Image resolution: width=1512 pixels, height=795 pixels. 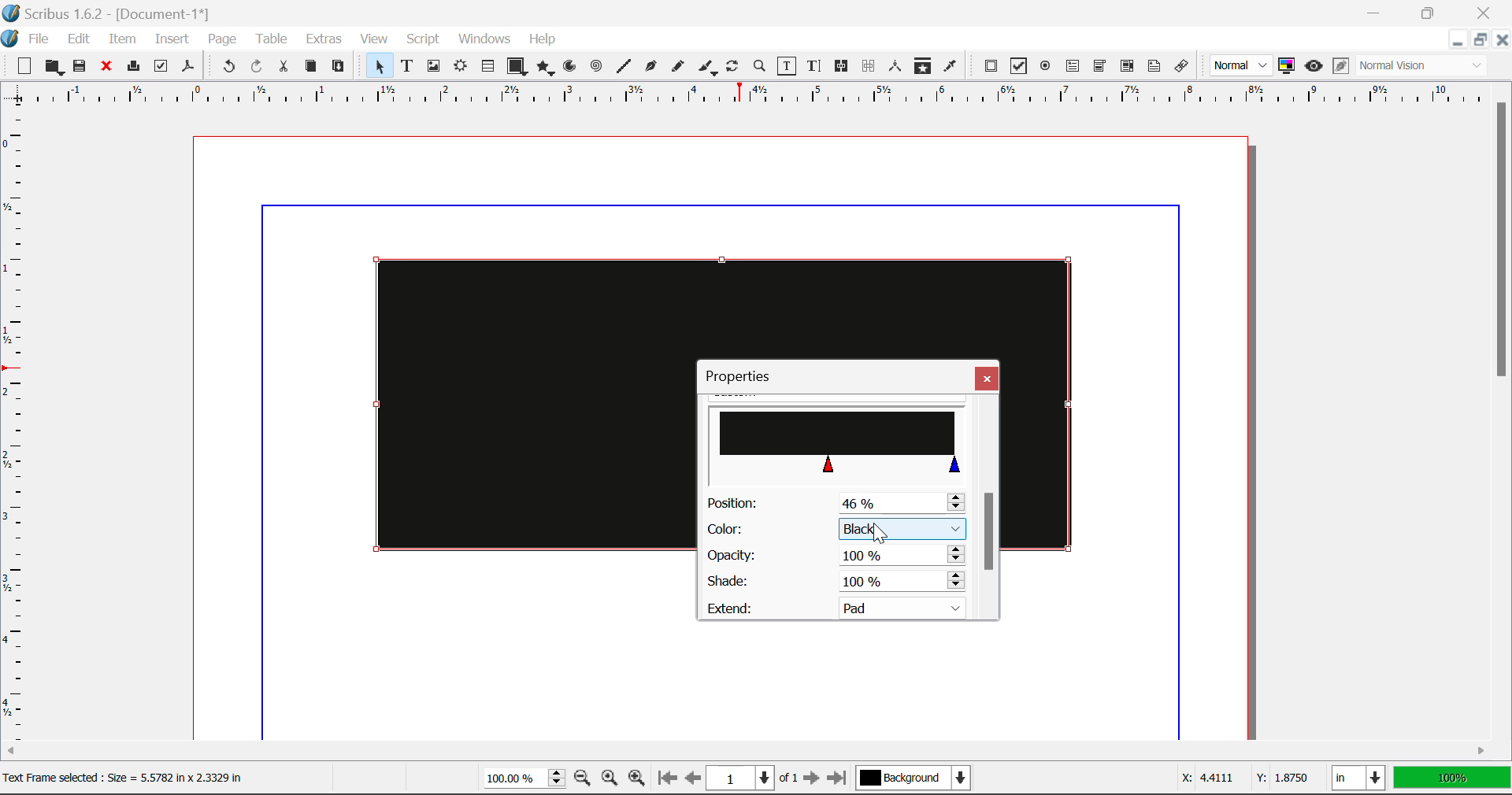 What do you see at coordinates (1157, 67) in the screenshot?
I see `Text Annotation` at bounding box center [1157, 67].